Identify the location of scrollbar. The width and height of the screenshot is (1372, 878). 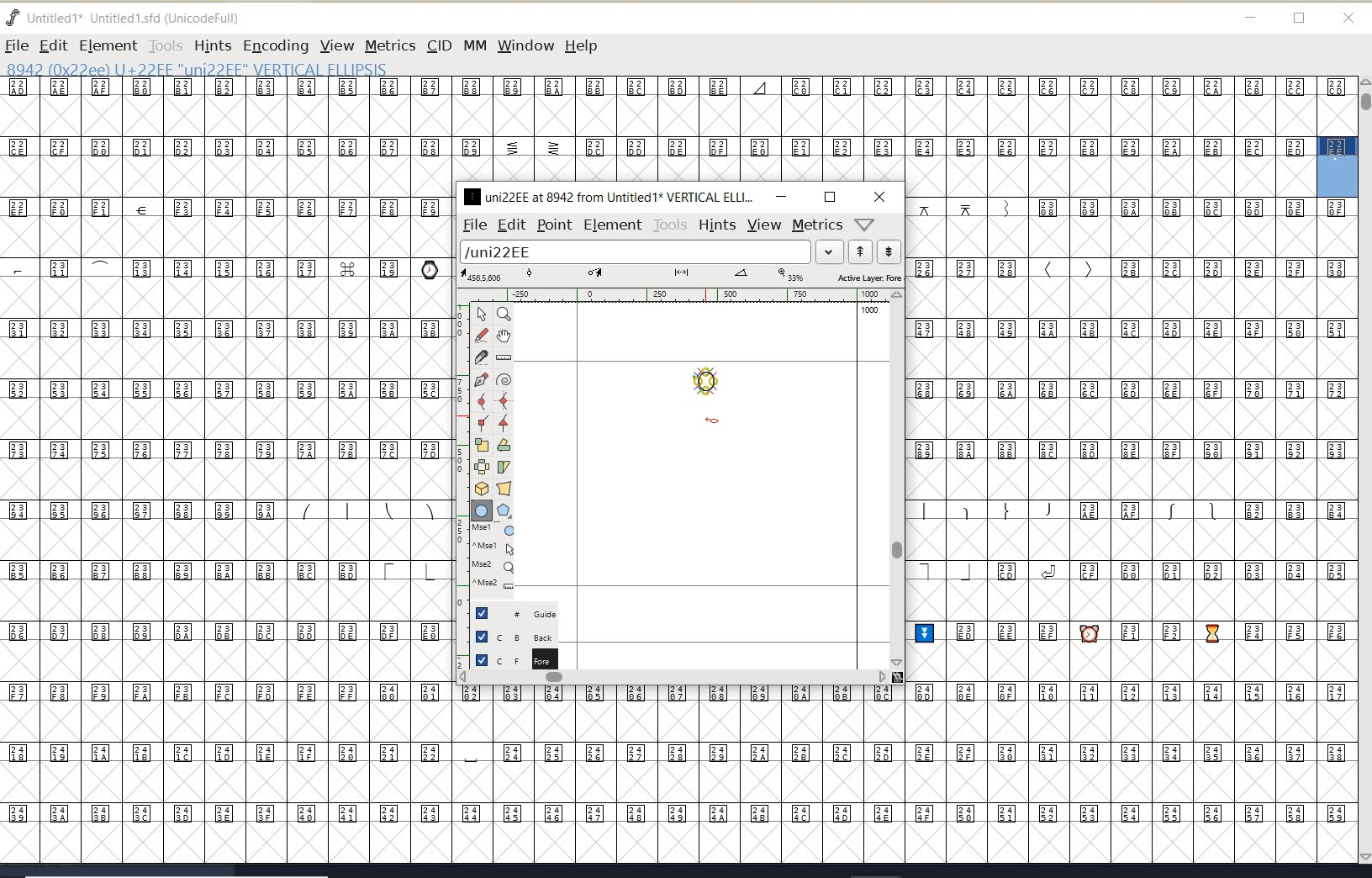
(895, 479).